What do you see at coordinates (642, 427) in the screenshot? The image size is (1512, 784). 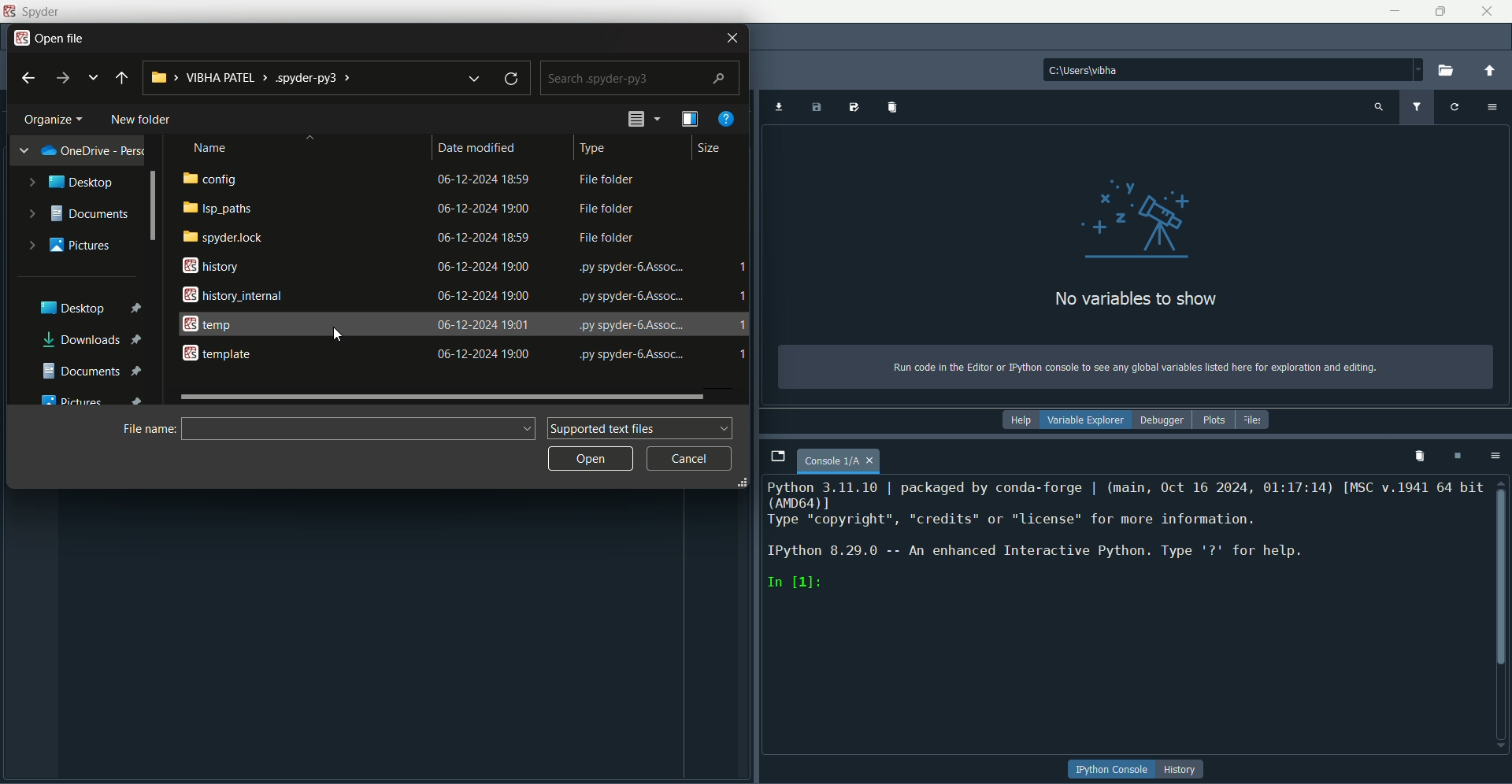 I see `supported text files` at bounding box center [642, 427].